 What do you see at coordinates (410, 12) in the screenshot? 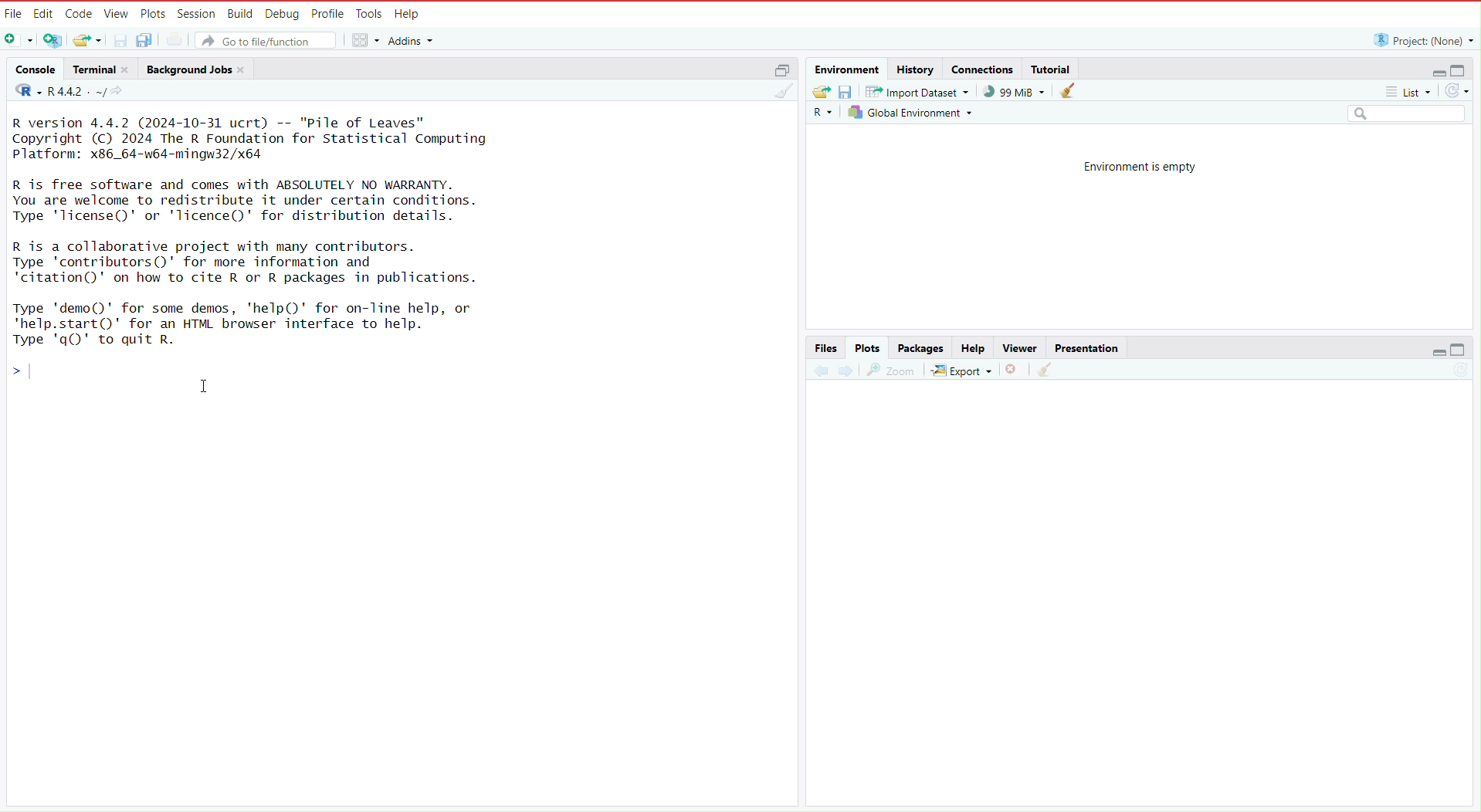
I see `help` at bounding box center [410, 12].